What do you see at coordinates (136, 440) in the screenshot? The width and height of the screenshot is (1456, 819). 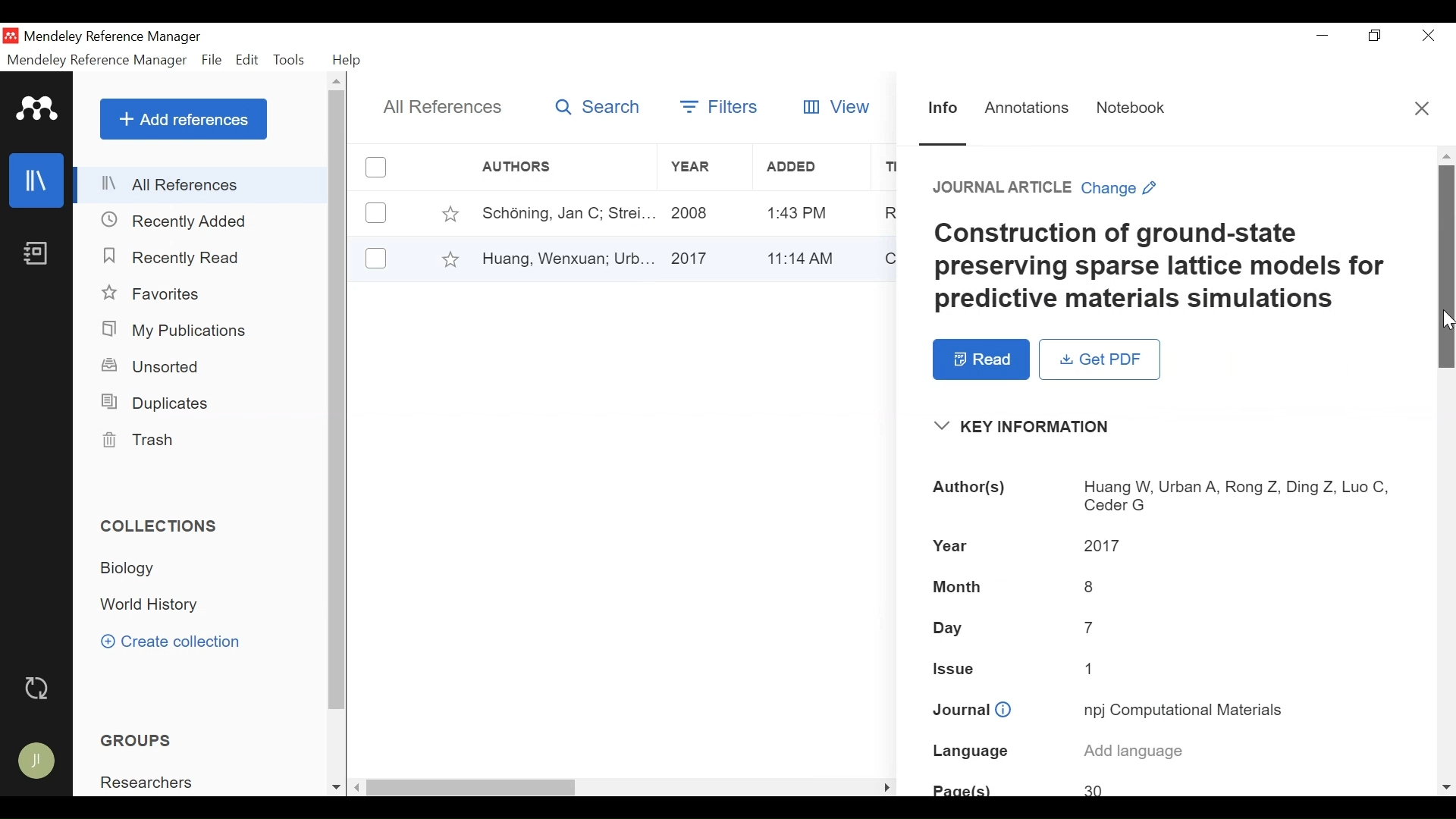 I see `Trash` at bounding box center [136, 440].